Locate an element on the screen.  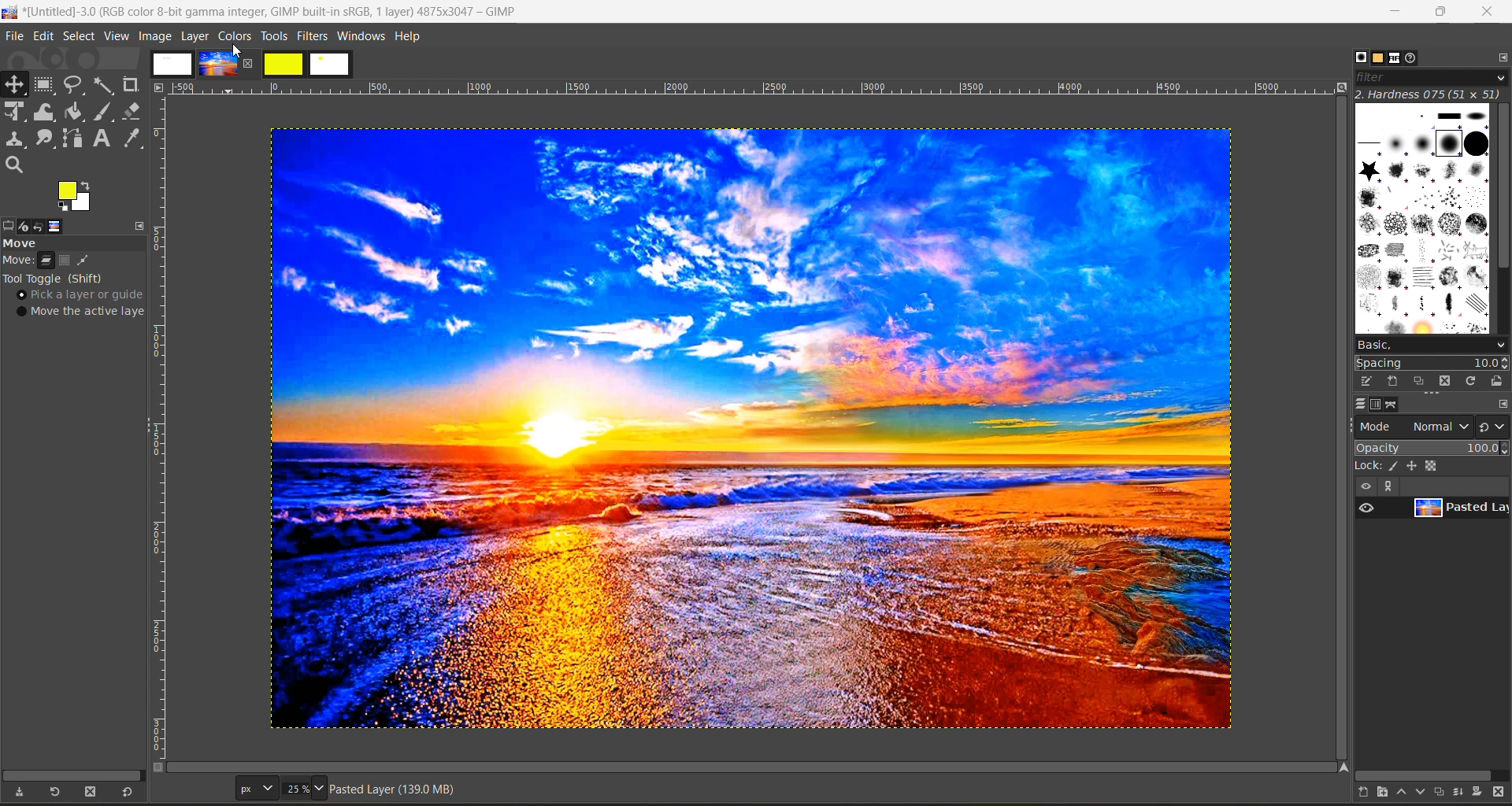
device status is located at coordinates (21, 227).